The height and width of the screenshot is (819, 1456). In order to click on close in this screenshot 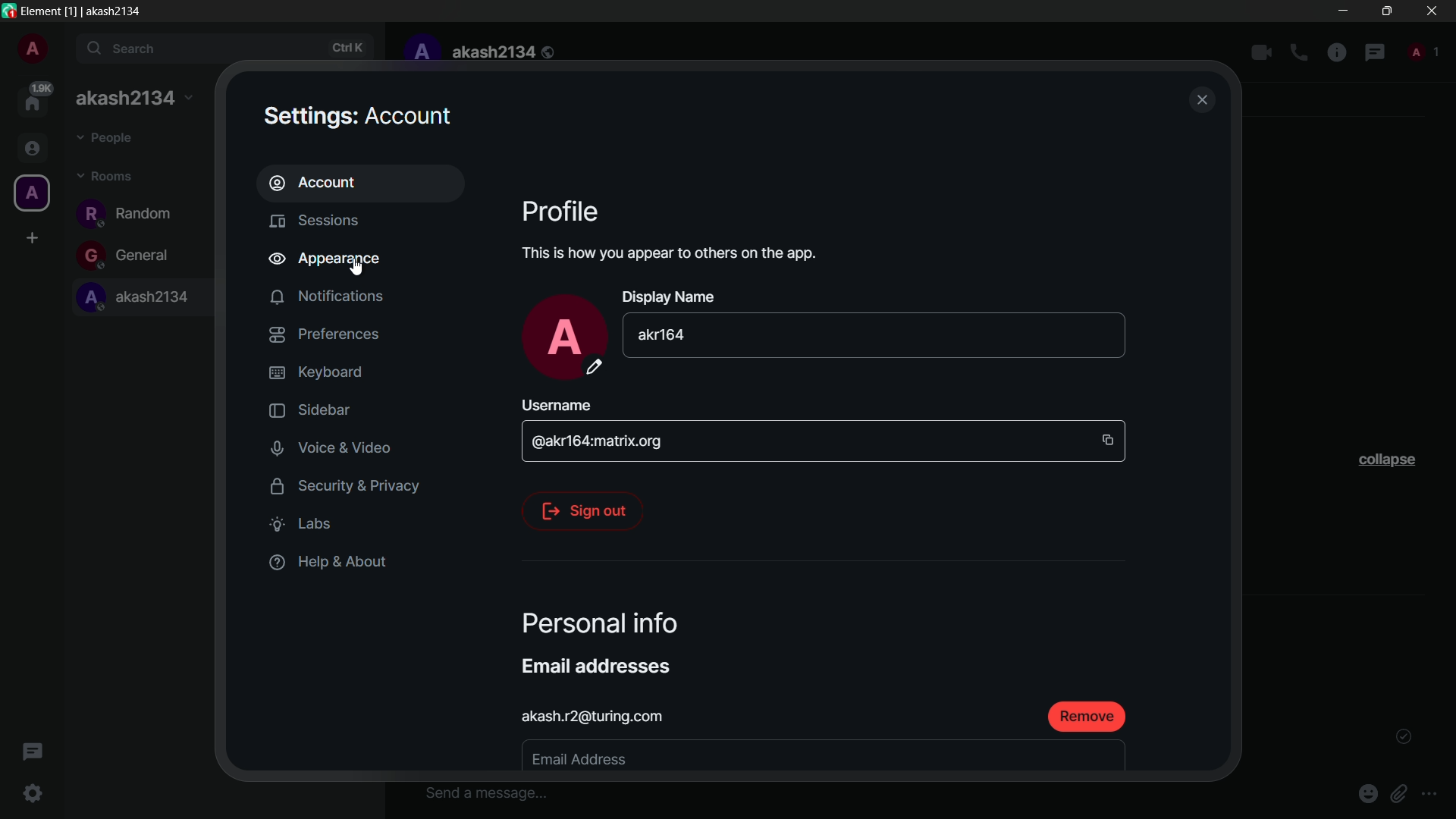, I will do `click(1432, 11)`.